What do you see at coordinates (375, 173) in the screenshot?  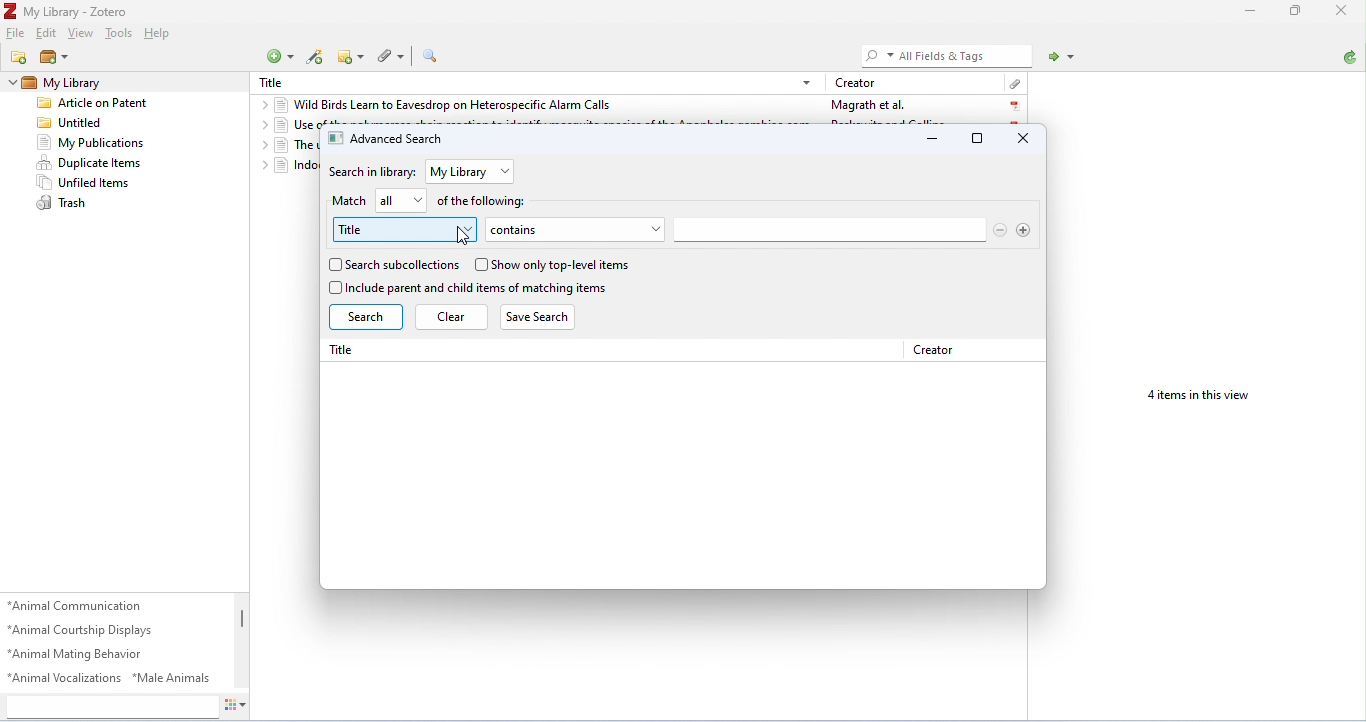 I see `search in library:` at bounding box center [375, 173].